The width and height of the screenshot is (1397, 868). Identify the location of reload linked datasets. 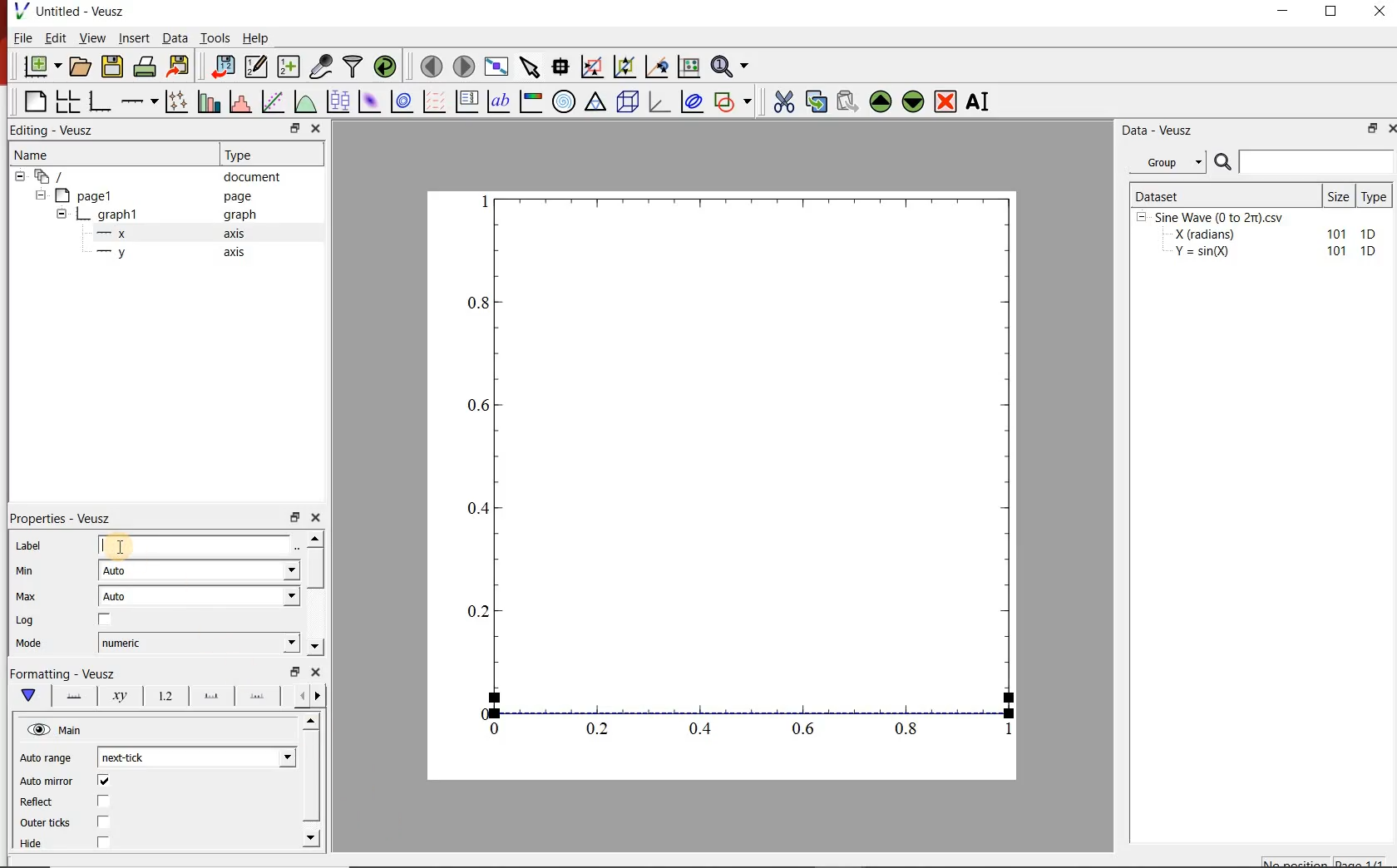
(388, 67).